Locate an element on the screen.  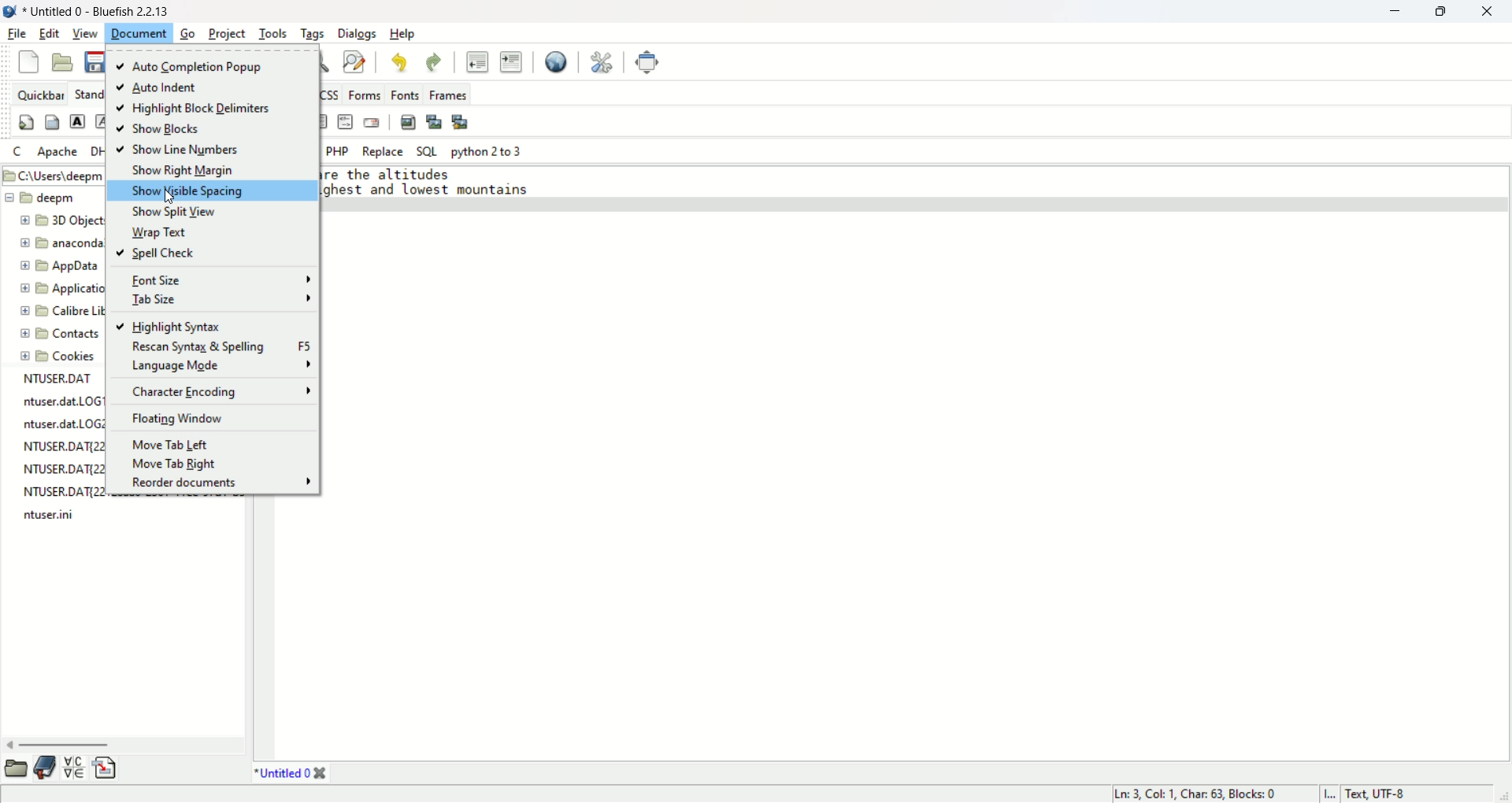
show blocks is located at coordinates (166, 131).